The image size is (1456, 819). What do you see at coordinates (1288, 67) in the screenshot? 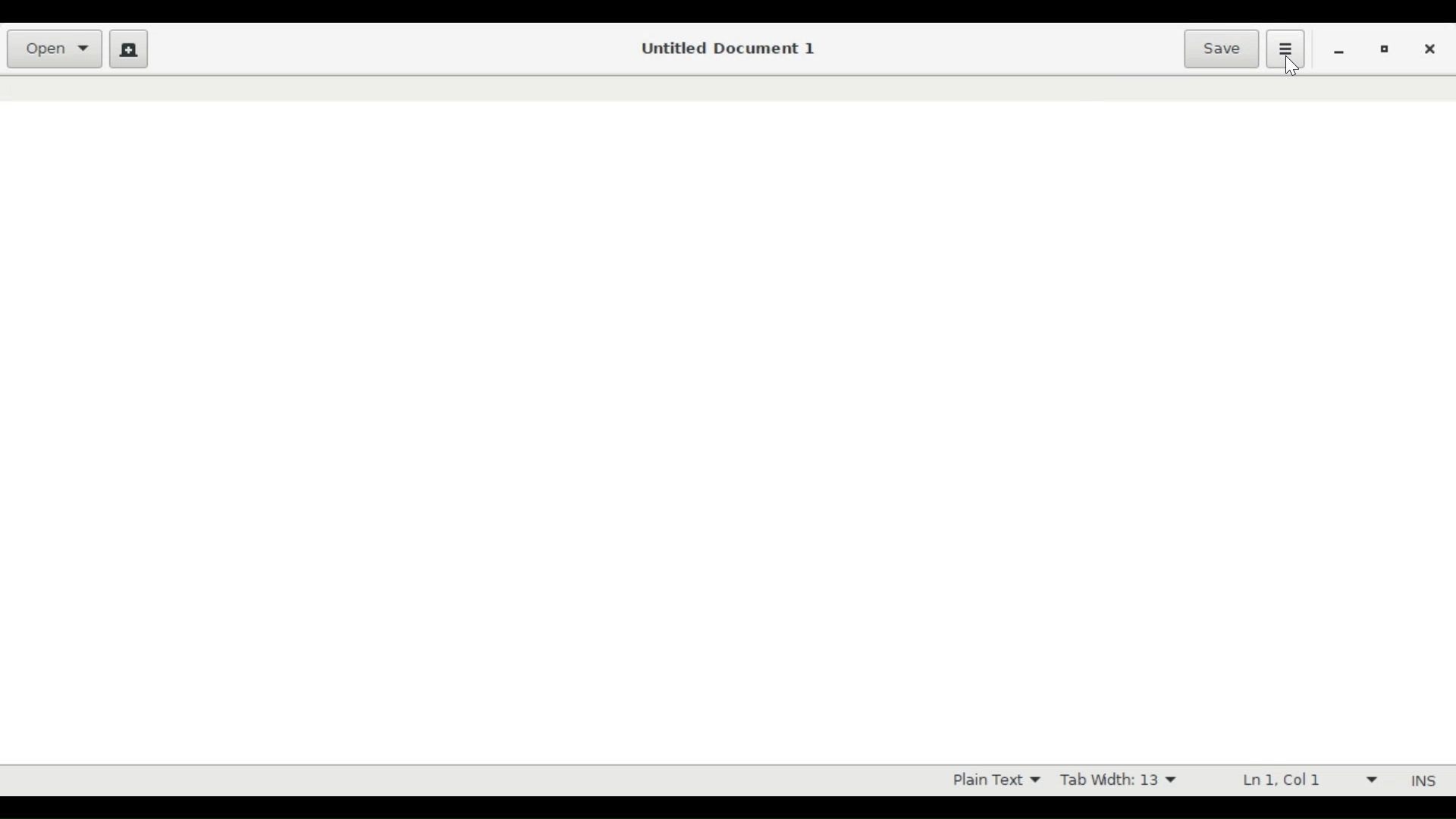
I see `Cursor` at bounding box center [1288, 67].